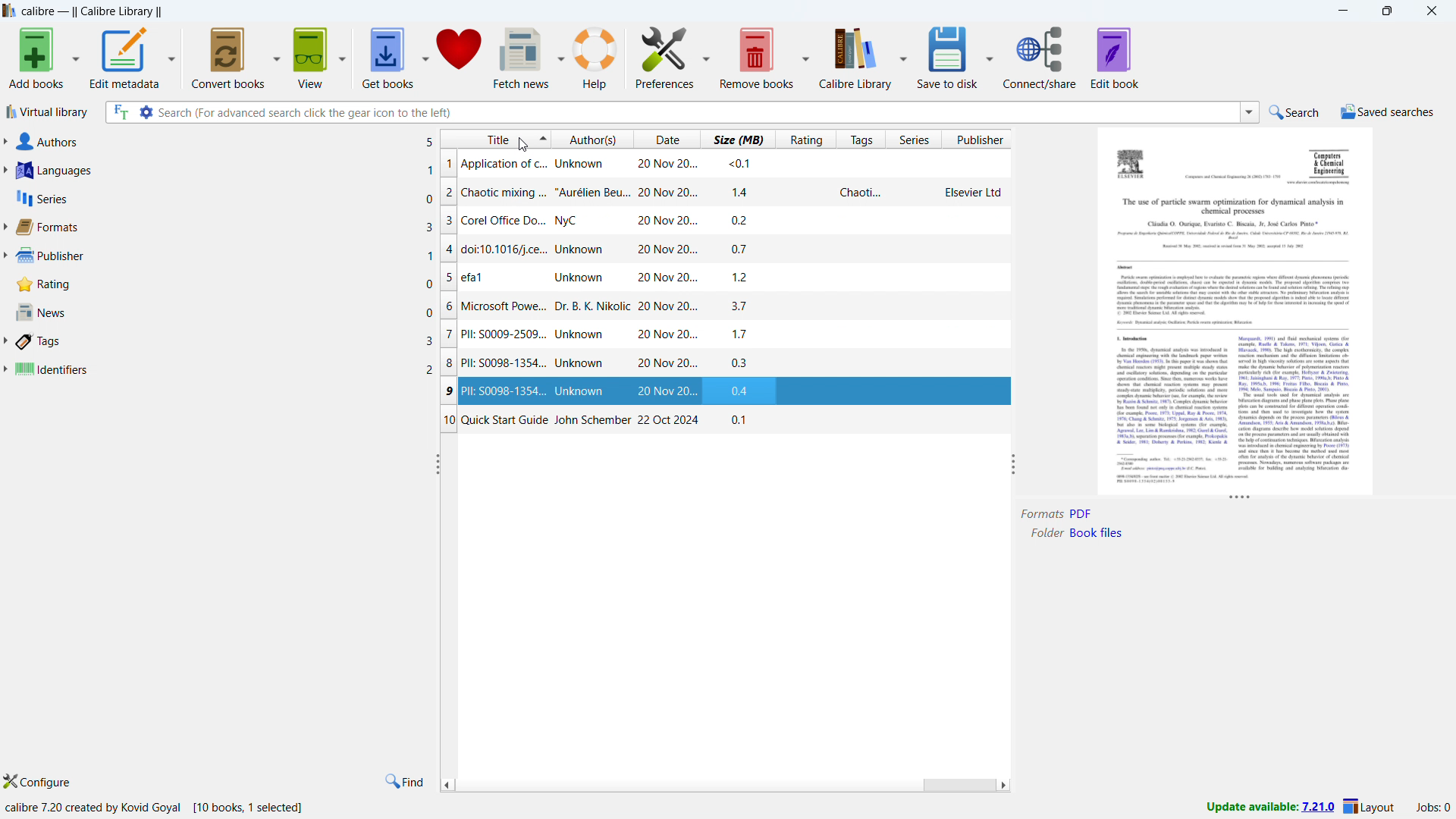 Image resolution: width=1456 pixels, height=819 pixels. What do you see at coordinates (48, 112) in the screenshot?
I see `virtual library` at bounding box center [48, 112].